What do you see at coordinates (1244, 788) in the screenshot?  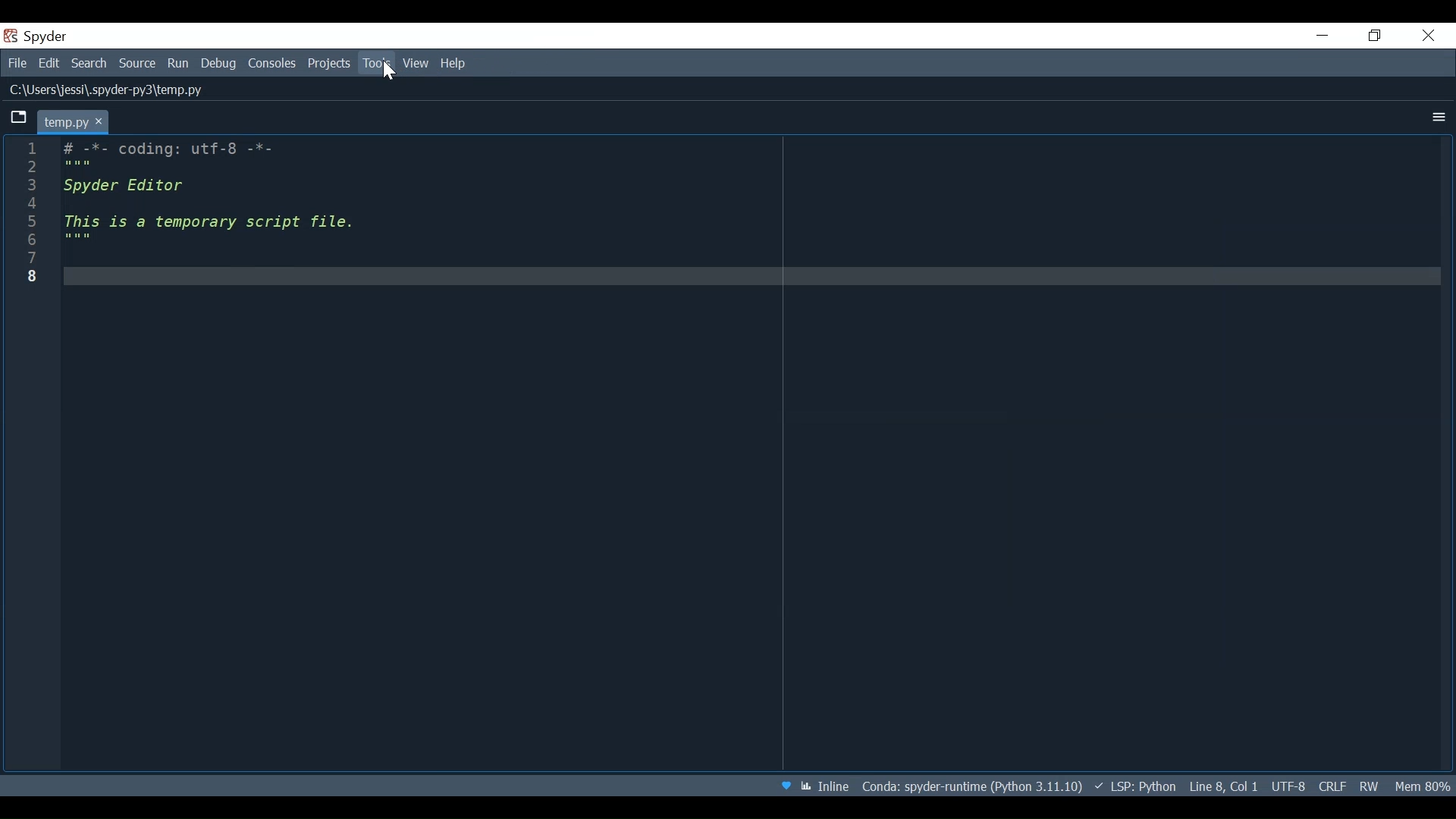 I see `Cursor Position` at bounding box center [1244, 788].